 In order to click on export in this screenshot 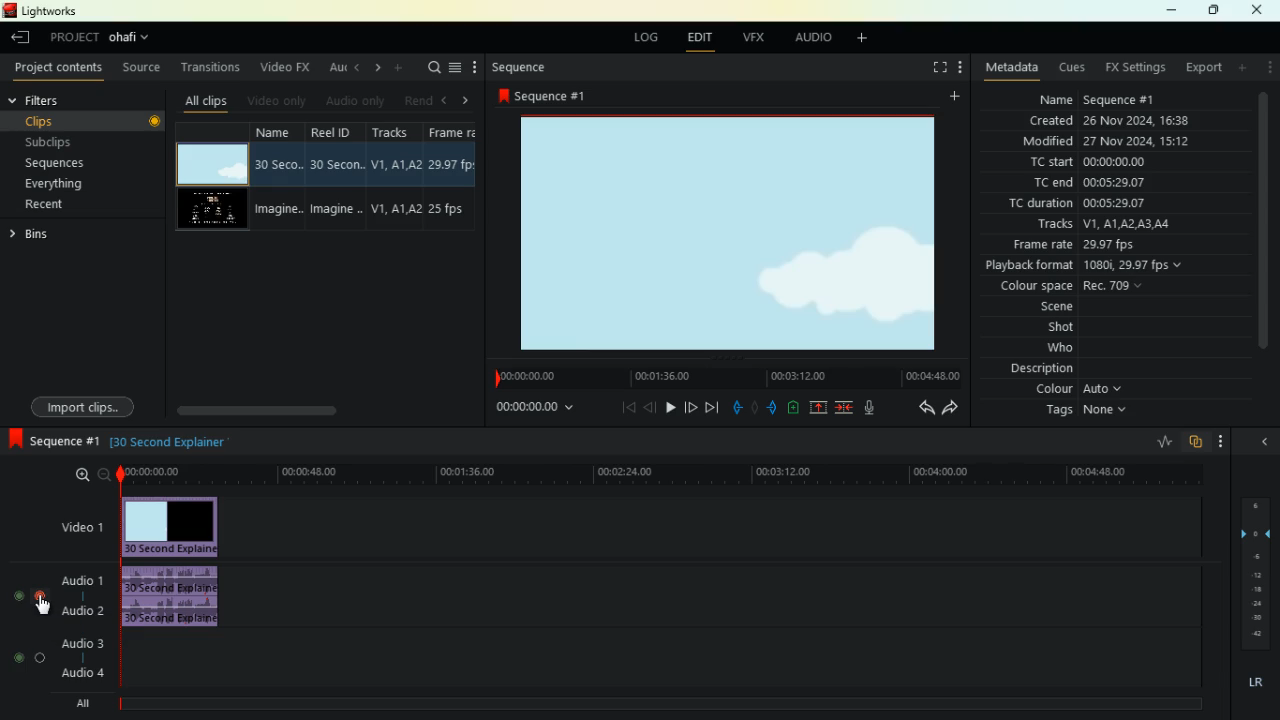, I will do `click(1199, 67)`.